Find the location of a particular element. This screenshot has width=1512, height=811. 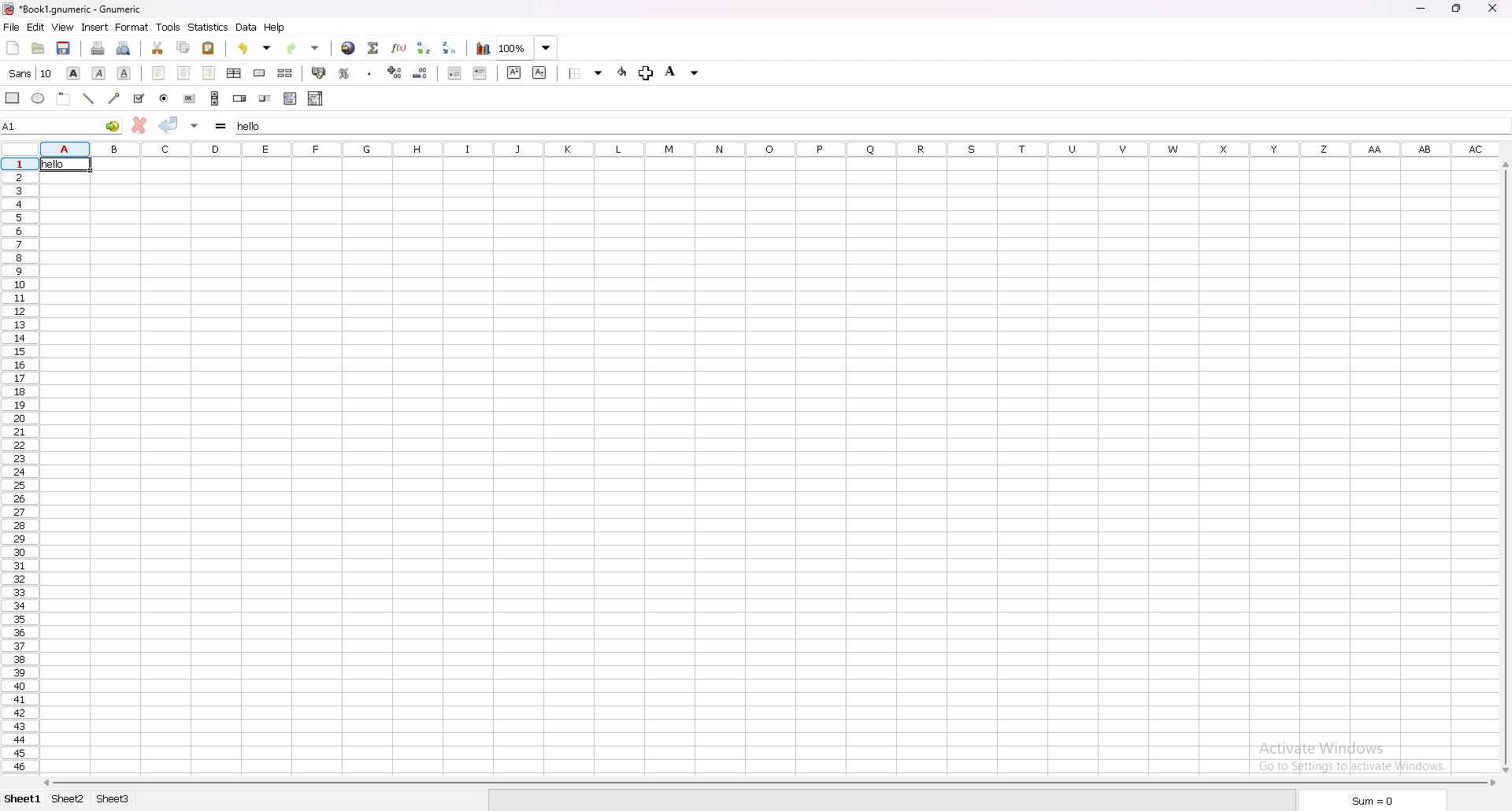

rows is located at coordinates (15, 465).